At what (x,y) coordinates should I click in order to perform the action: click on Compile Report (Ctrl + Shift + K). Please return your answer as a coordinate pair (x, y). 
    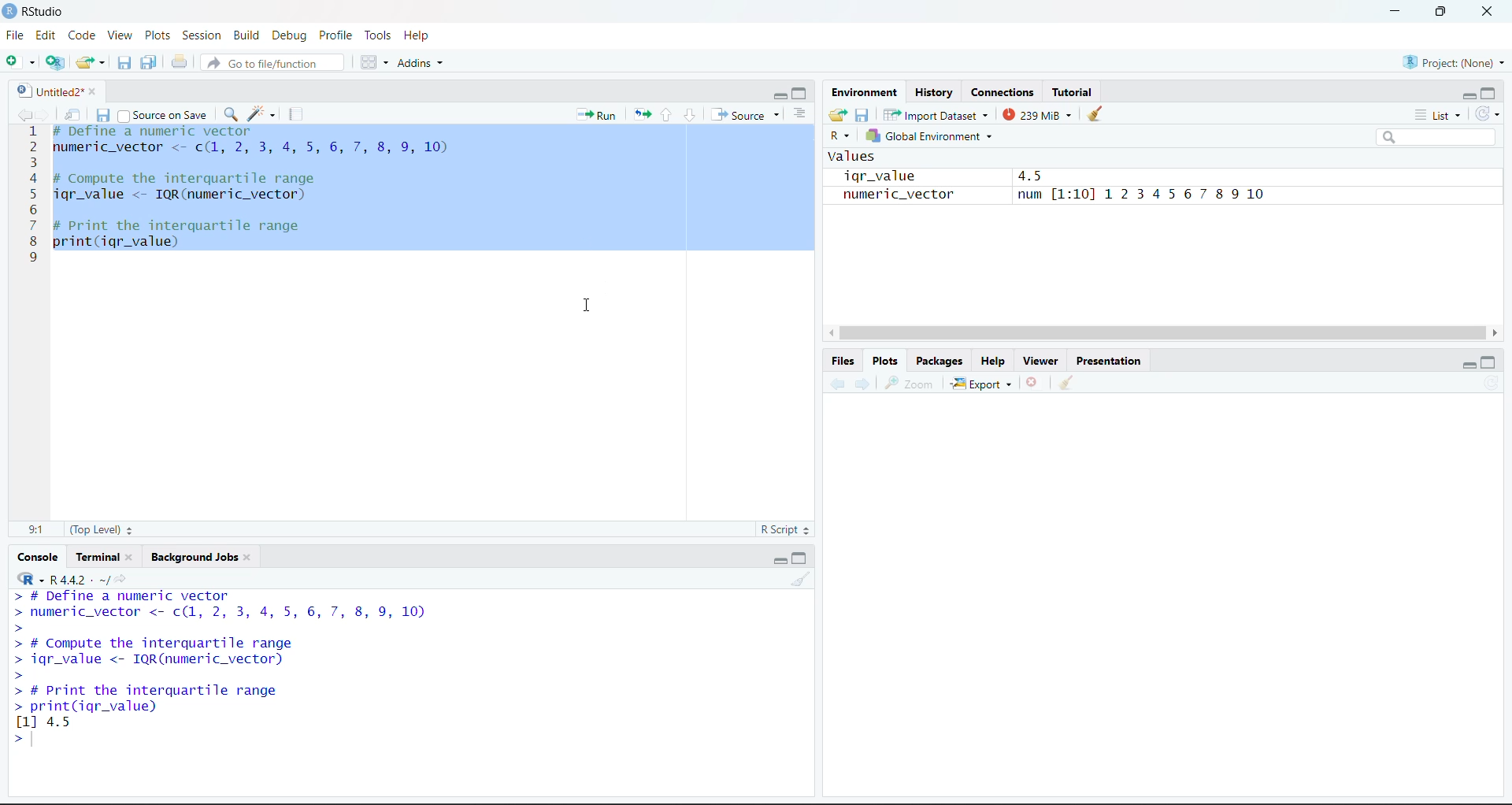
    Looking at the image, I should click on (296, 112).